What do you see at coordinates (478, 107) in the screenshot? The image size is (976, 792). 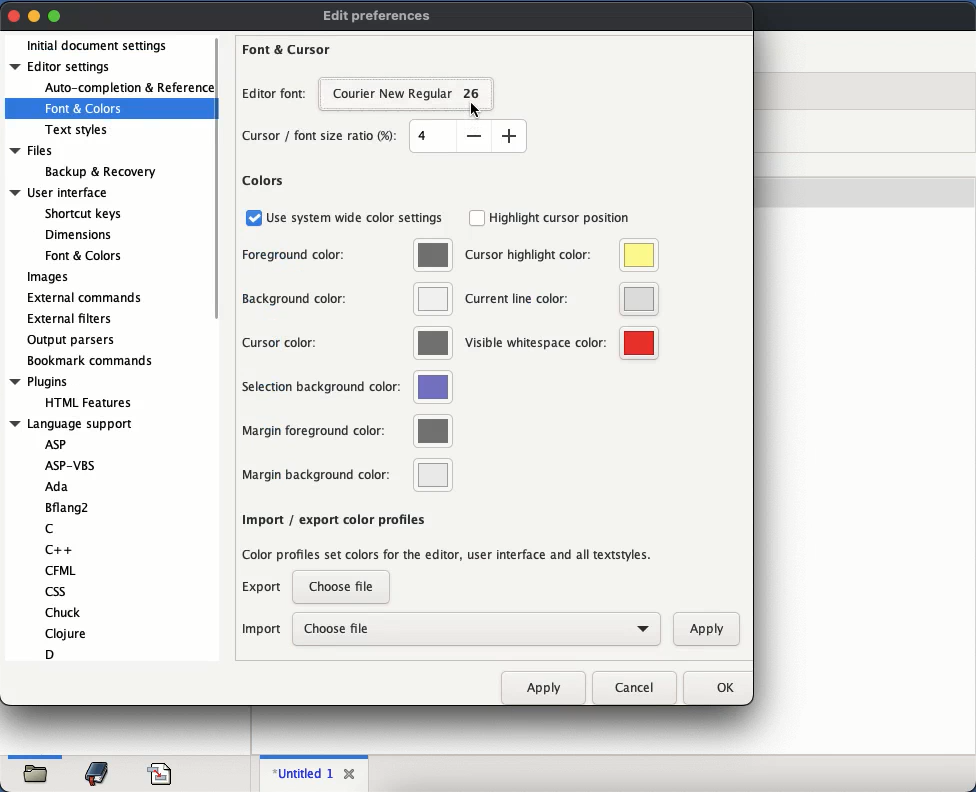 I see `cursor on courier new regular` at bounding box center [478, 107].